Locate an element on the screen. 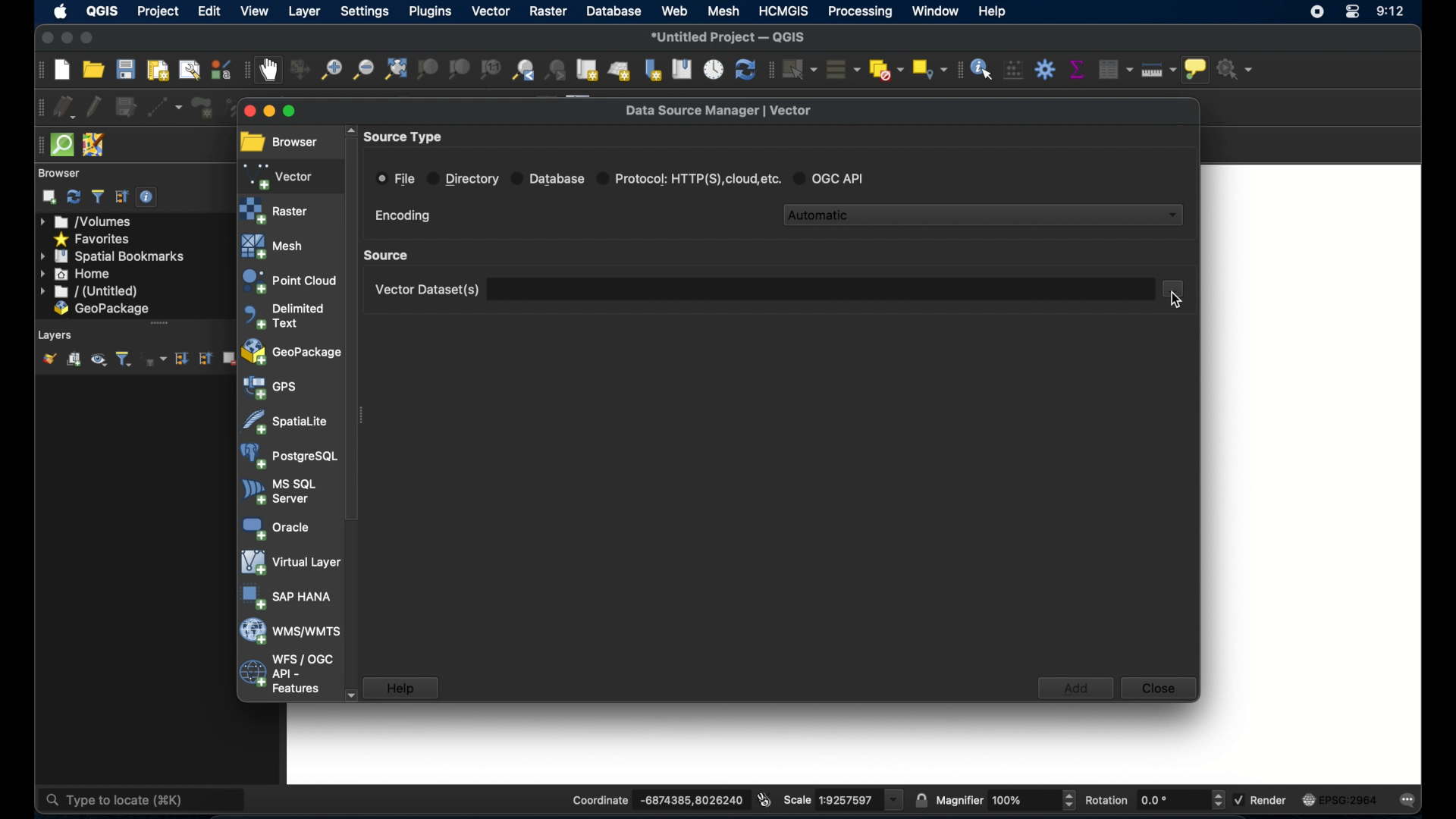 The image size is (1456, 819). minimize is located at coordinates (271, 112).